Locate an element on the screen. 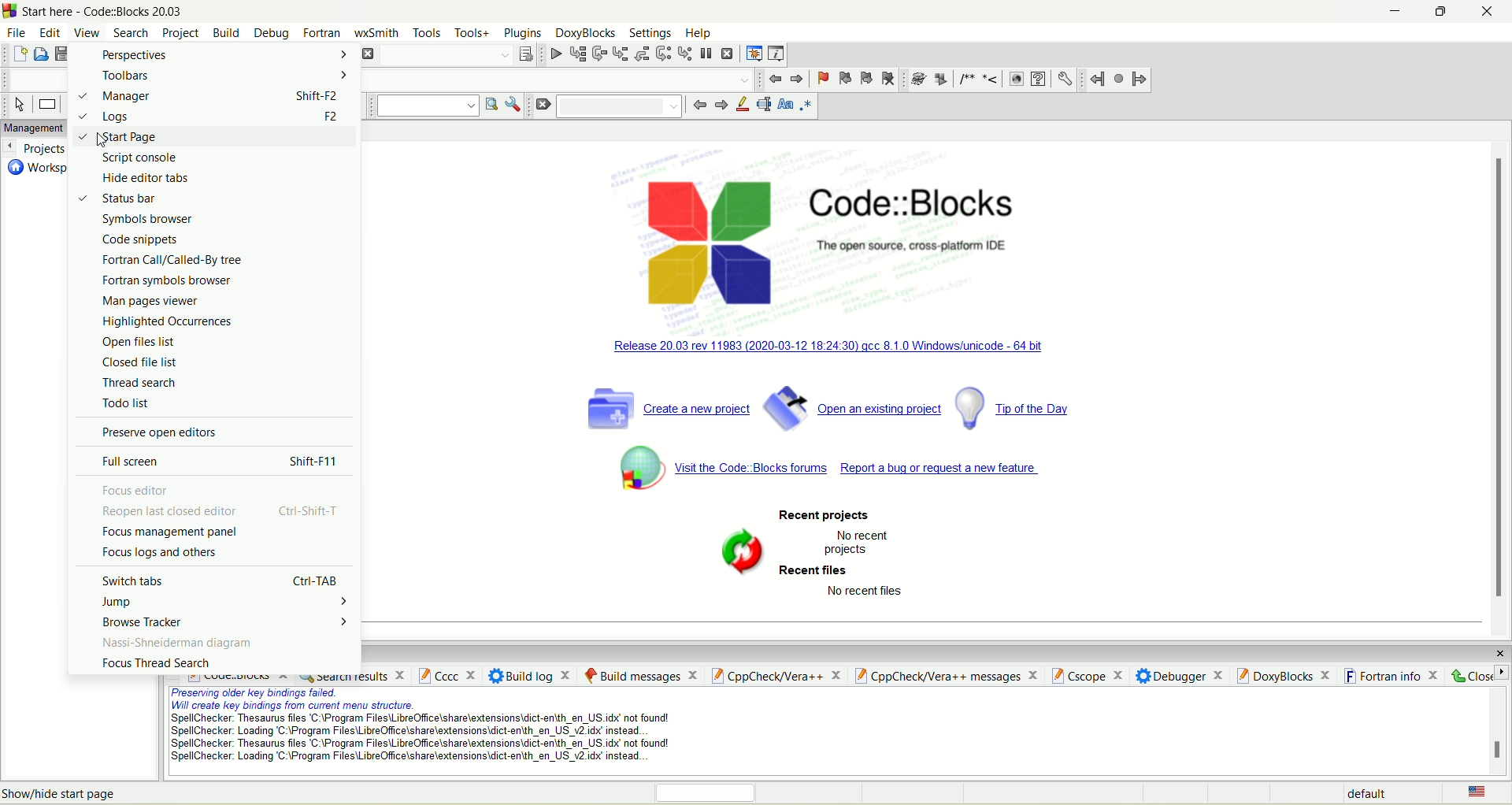  web is located at coordinates (1017, 80).